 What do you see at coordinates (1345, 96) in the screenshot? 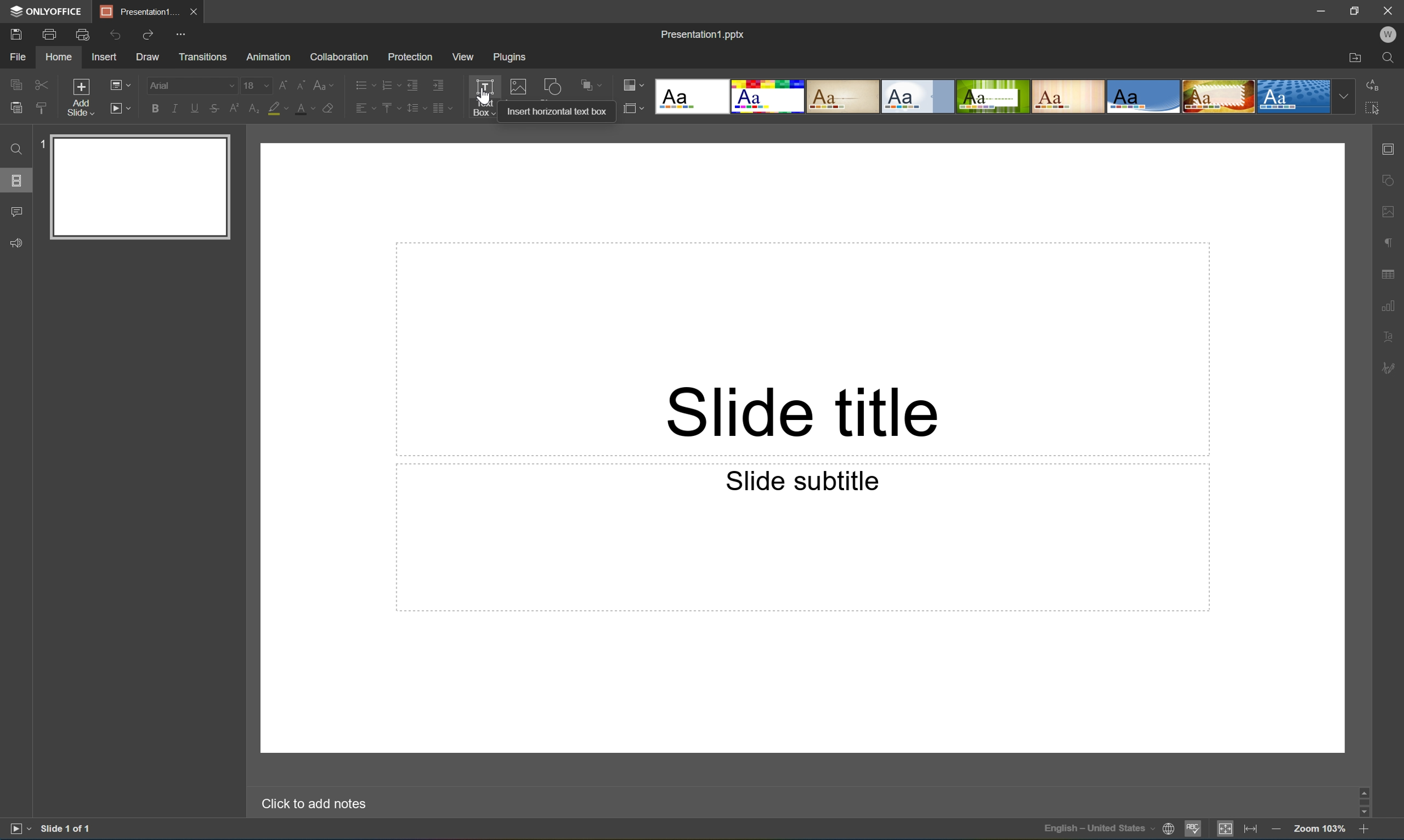
I see `Drop Down` at bounding box center [1345, 96].